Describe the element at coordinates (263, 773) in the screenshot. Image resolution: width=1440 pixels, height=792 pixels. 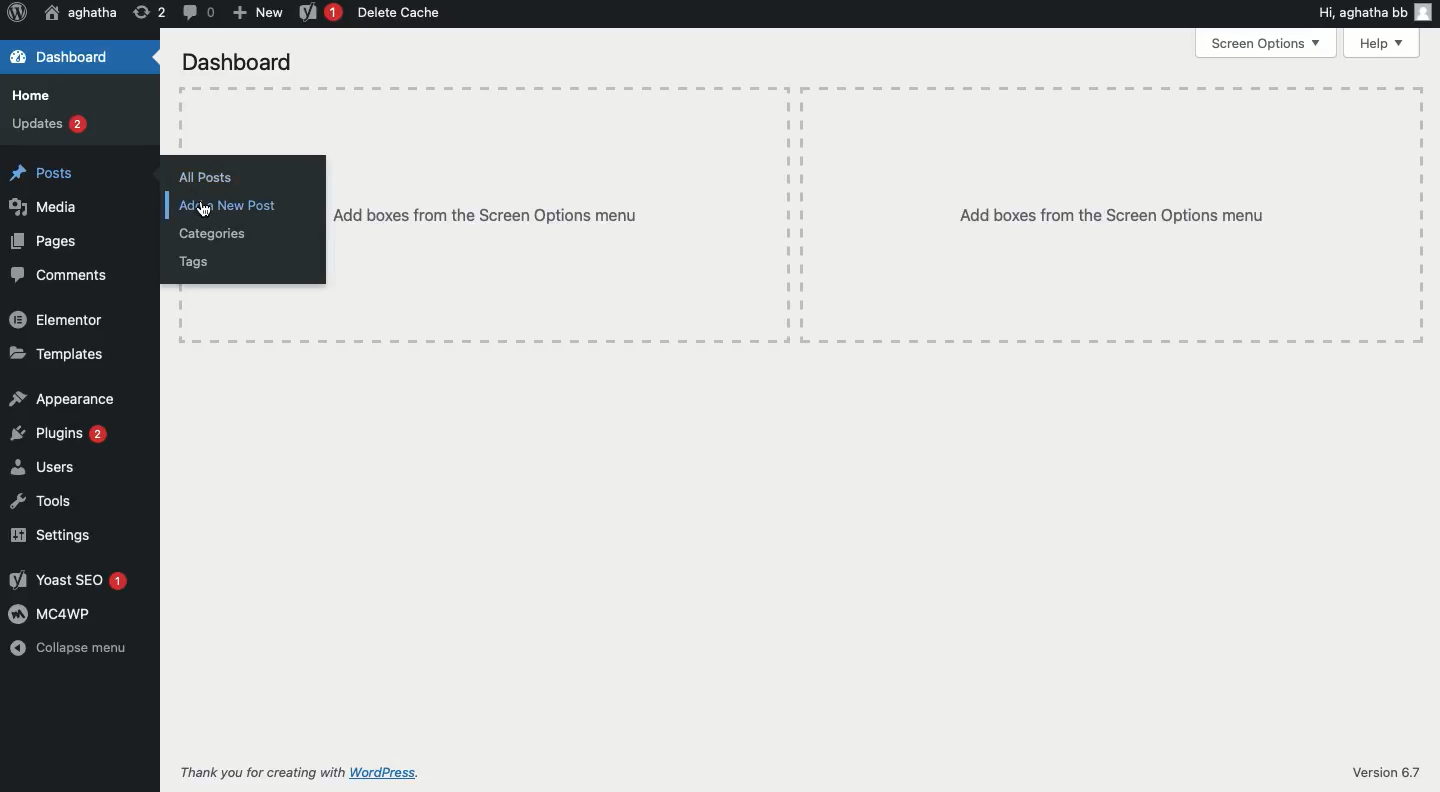
I see `Thank you for creating with` at that location.